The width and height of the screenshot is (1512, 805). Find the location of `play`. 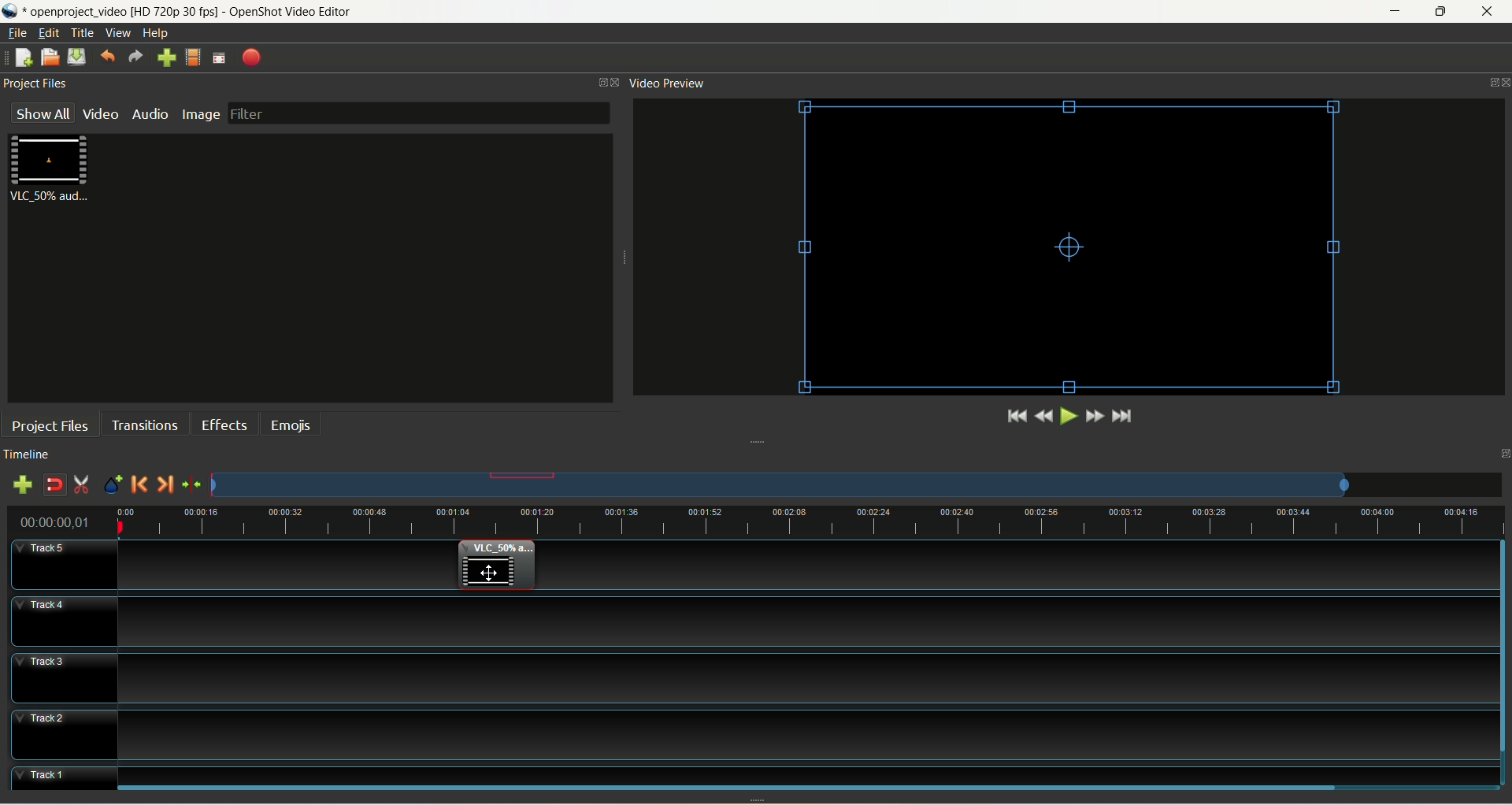

play is located at coordinates (1067, 416).